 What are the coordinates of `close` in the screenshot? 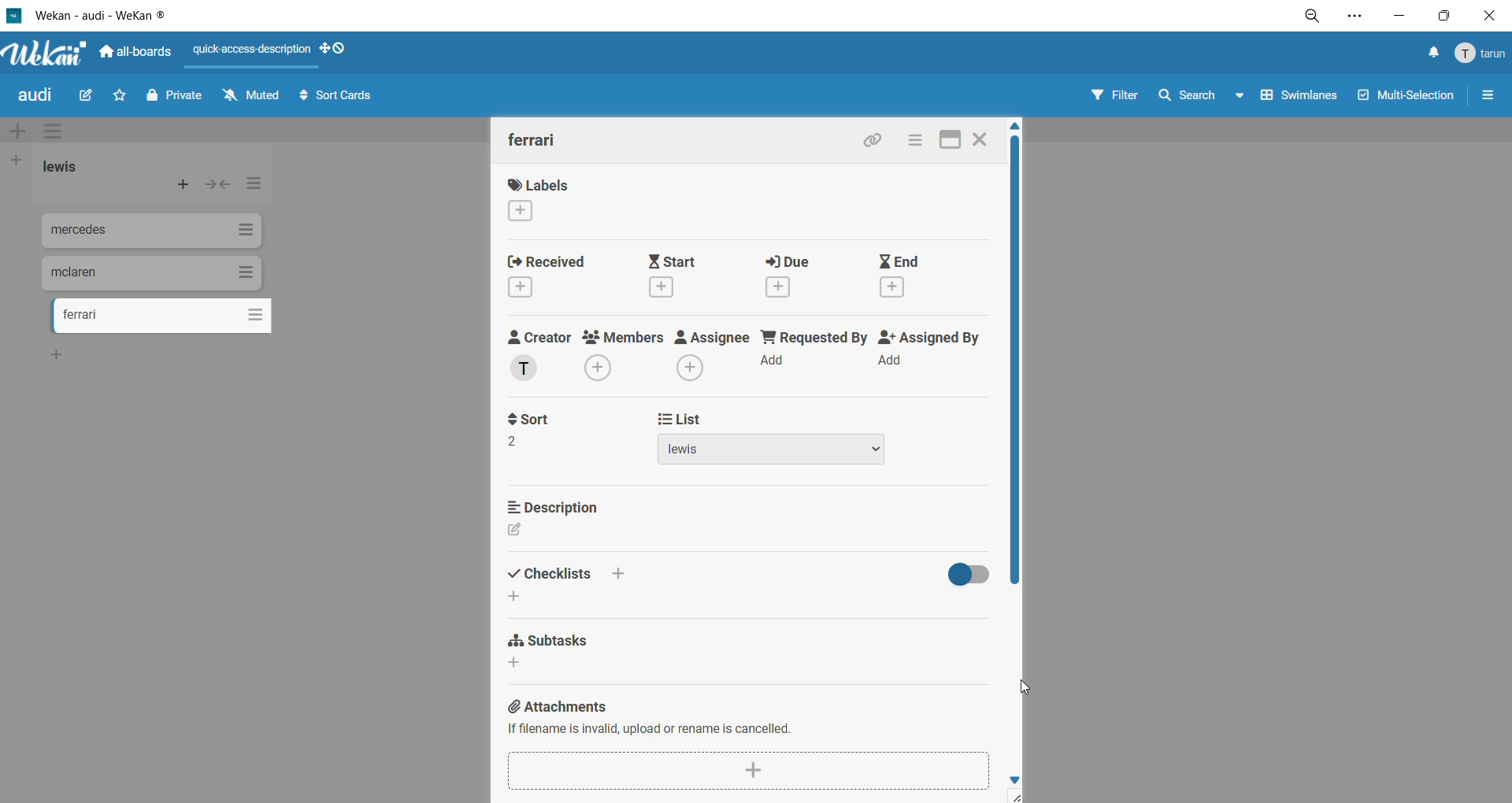 It's located at (1487, 15).